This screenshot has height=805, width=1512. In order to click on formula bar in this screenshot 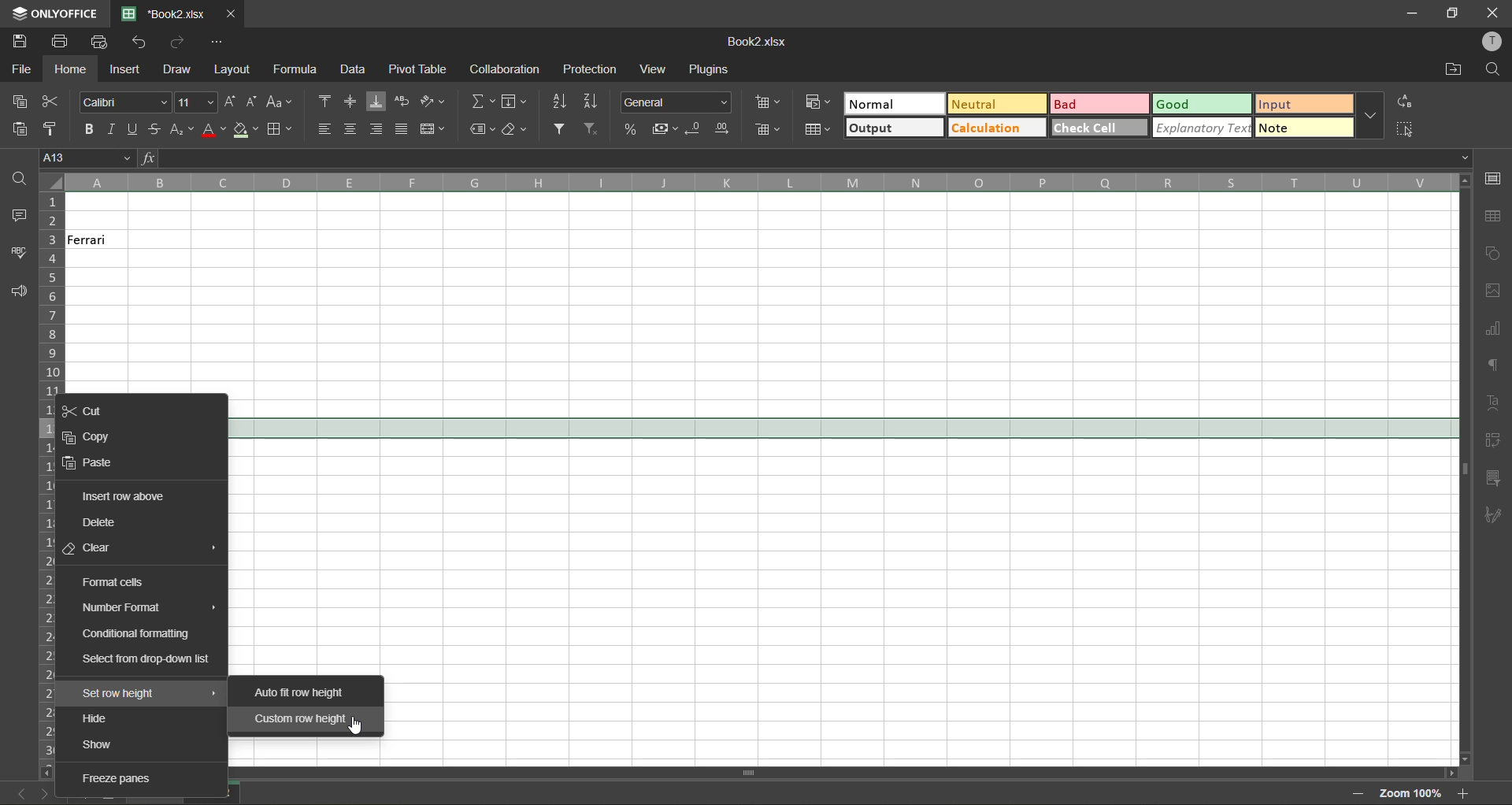, I will do `click(804, 157)`.